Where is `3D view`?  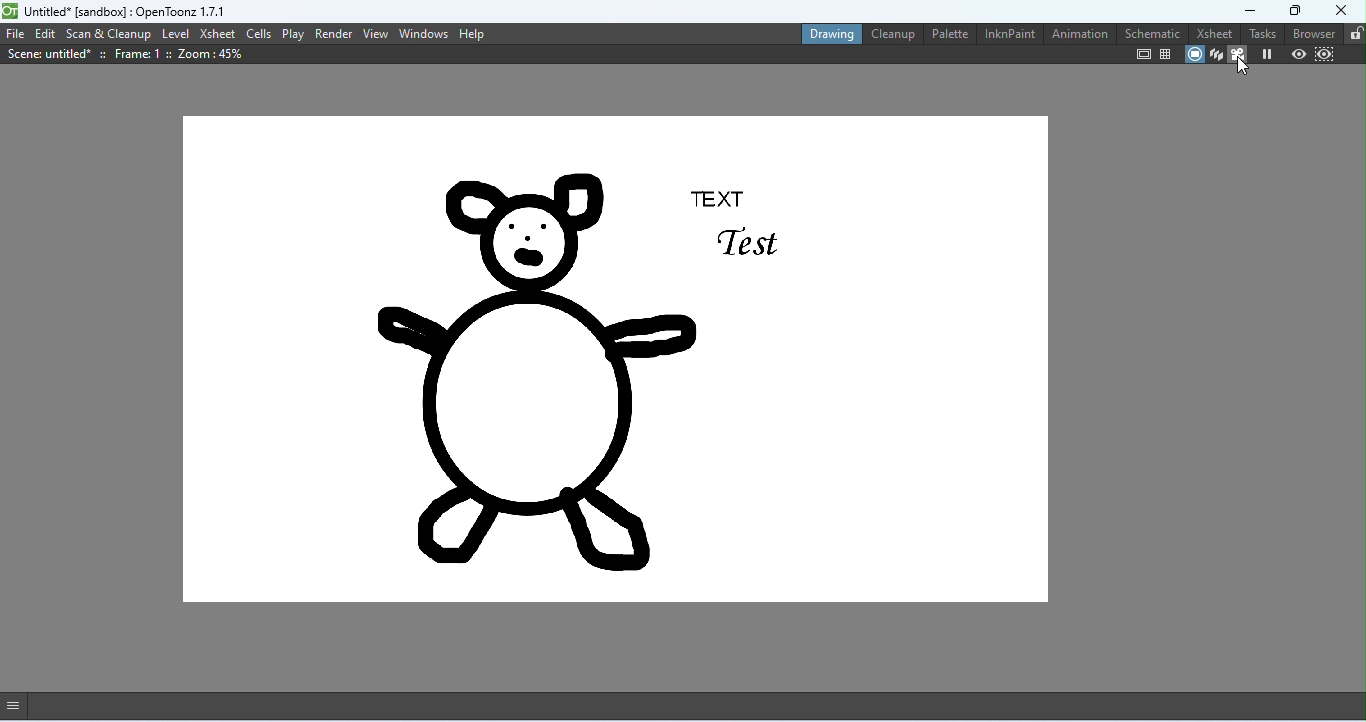
3D view is located at coordinates (1214, 55).